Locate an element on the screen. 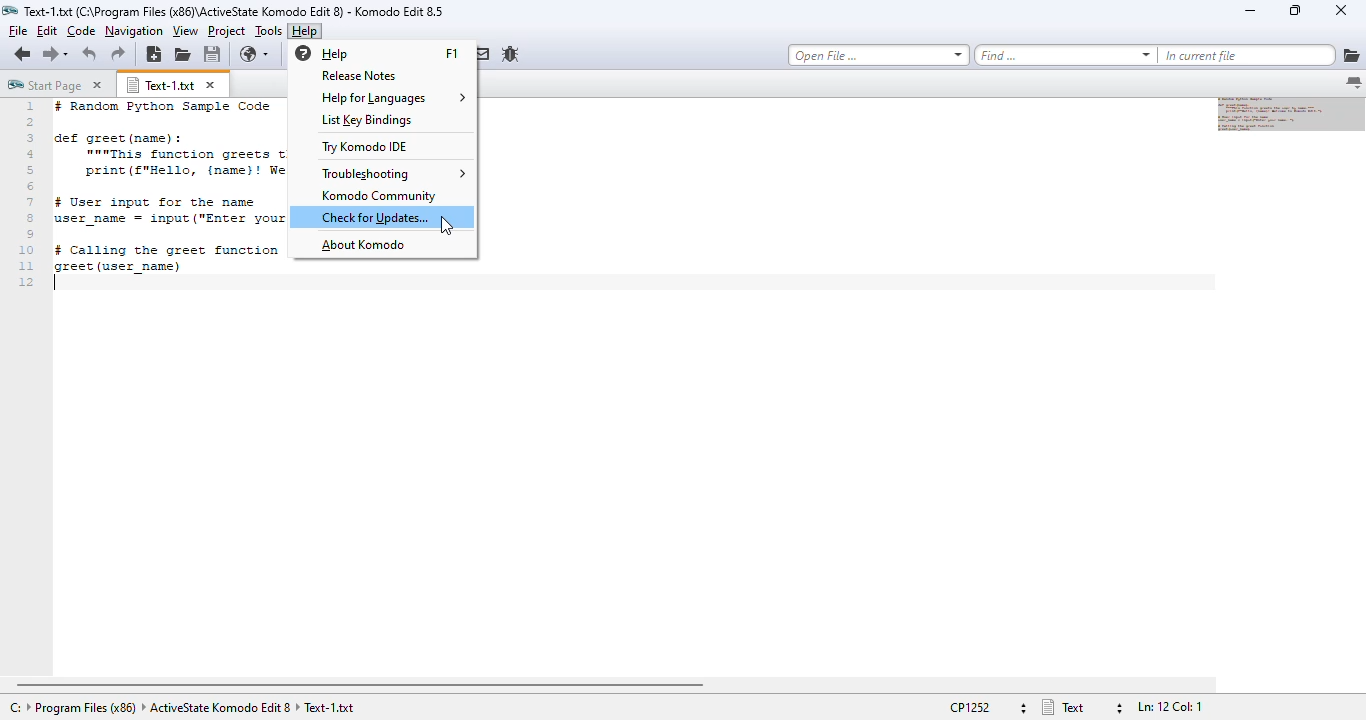  file type is located at coordinates (1081, 707).